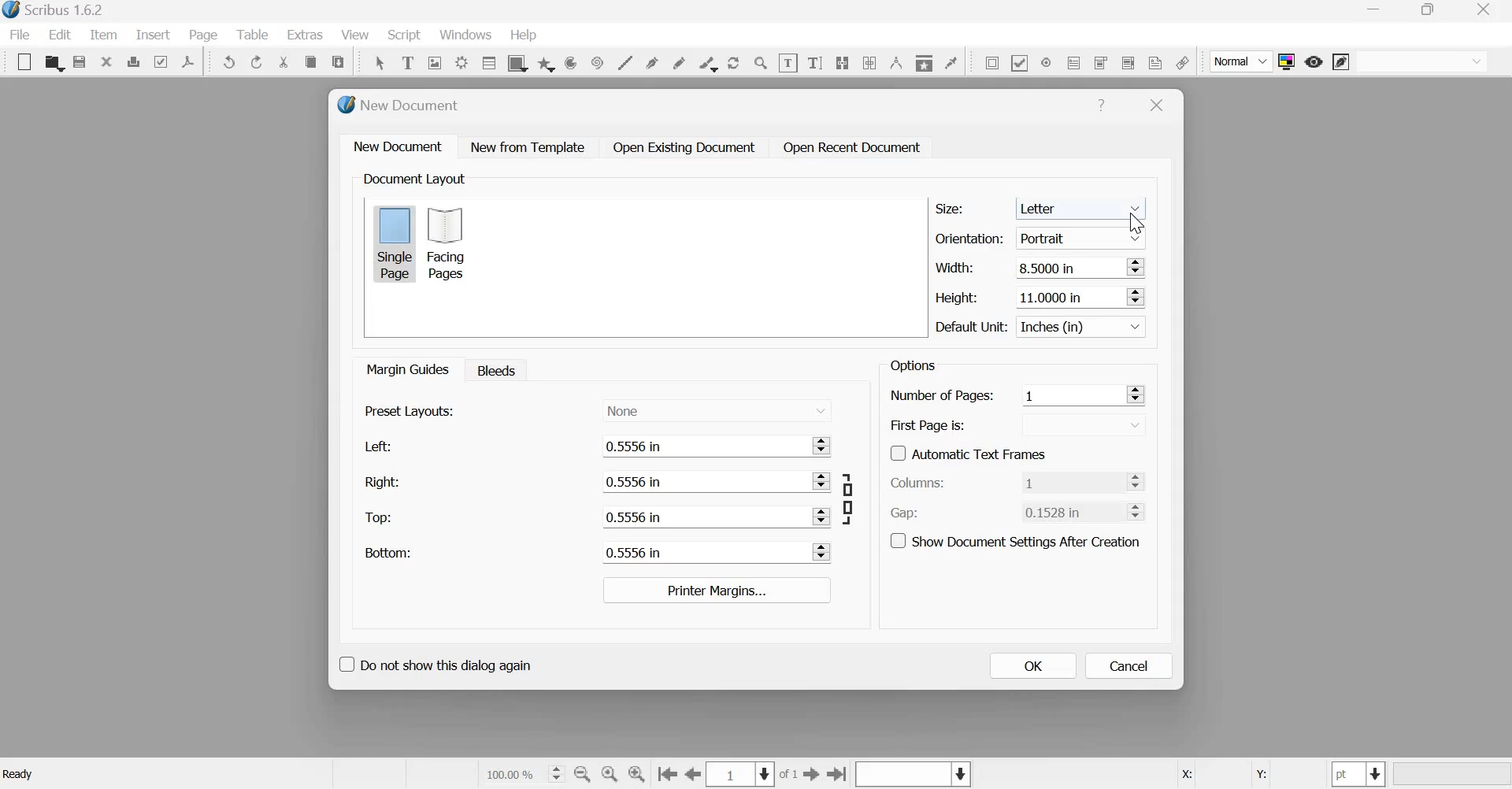  Describe the element at coordinates (717, 409) in the screenshot. I see `None` at that location.